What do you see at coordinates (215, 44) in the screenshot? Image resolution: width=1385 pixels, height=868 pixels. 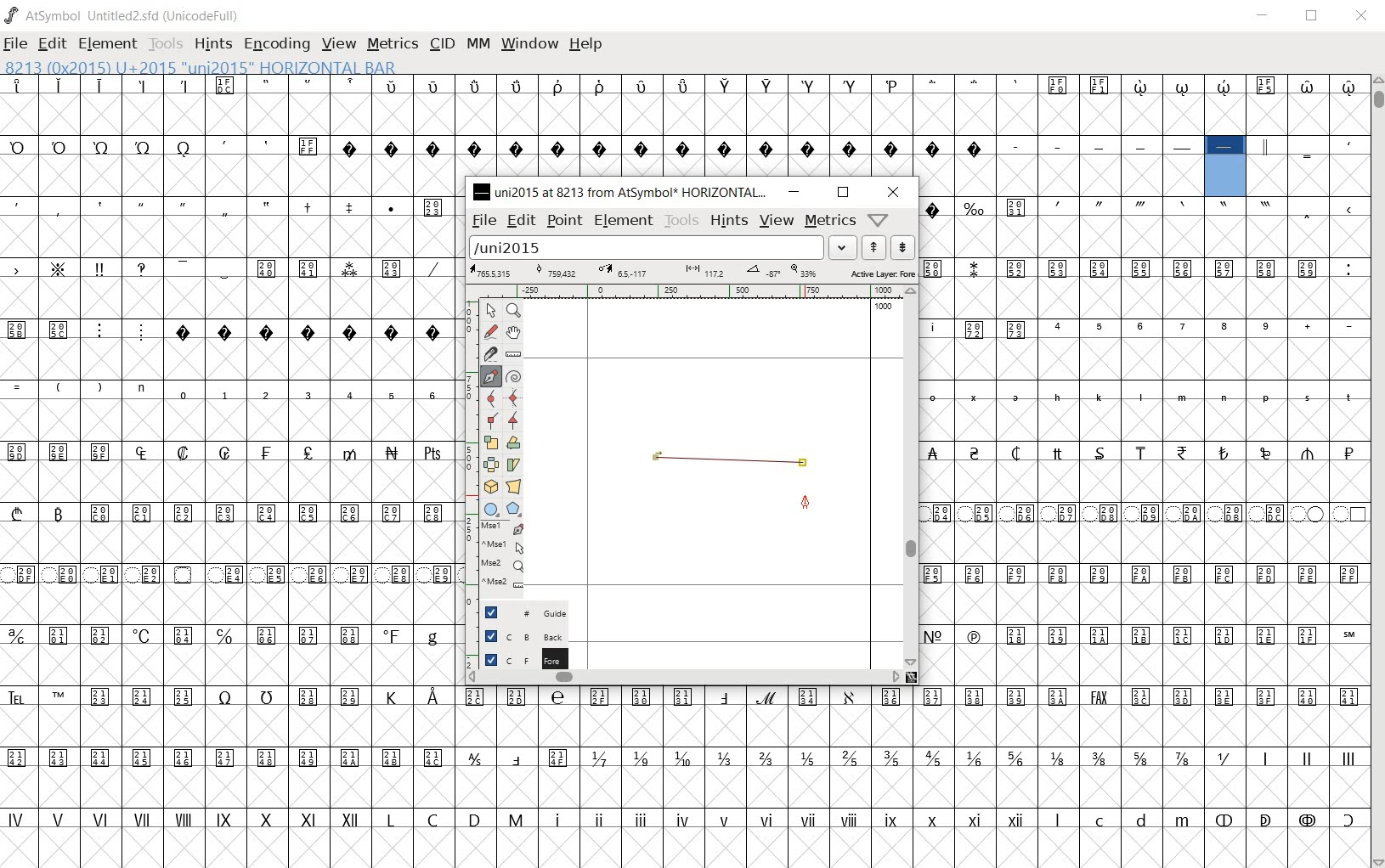 I see `HINTS` at bounding box center [215, 44].